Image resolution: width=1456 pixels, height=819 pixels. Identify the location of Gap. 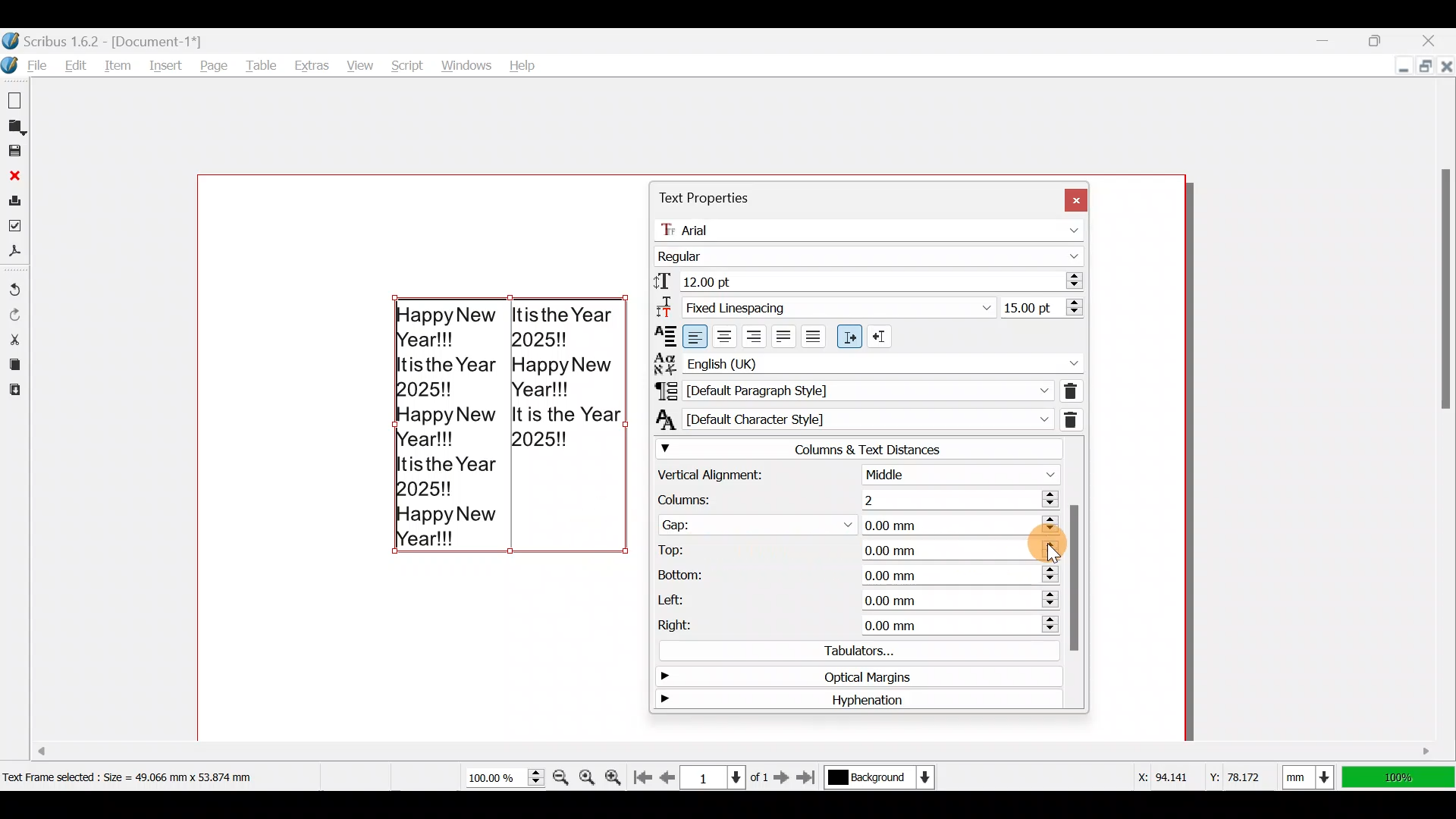
(858, 522).